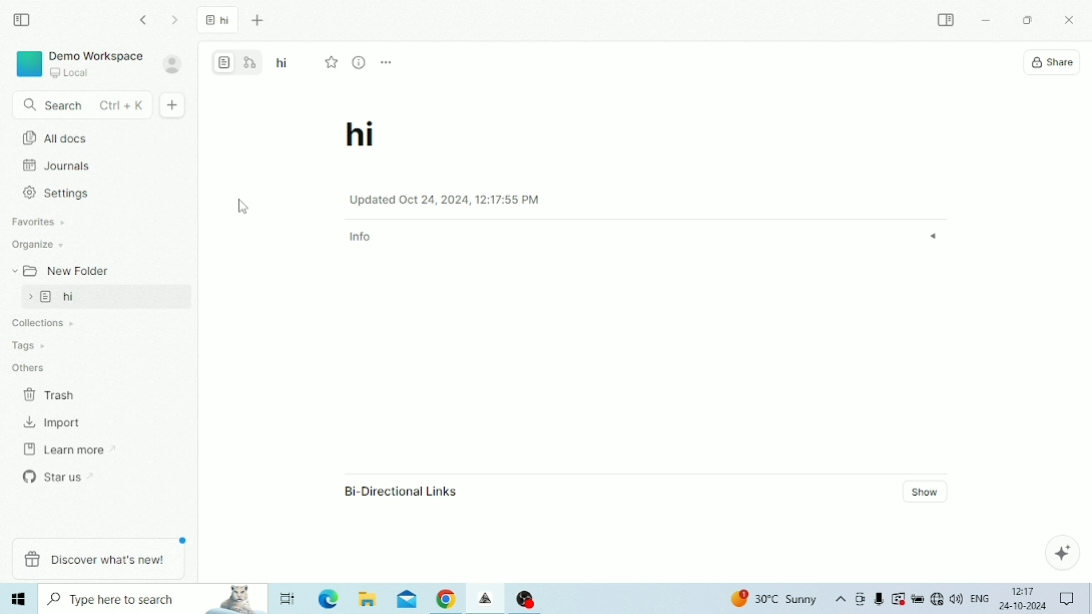 This screenshot has width=1092, height=614. Describe the element at coordinates (387, 63) in the screenshot. I see `More` at that location.